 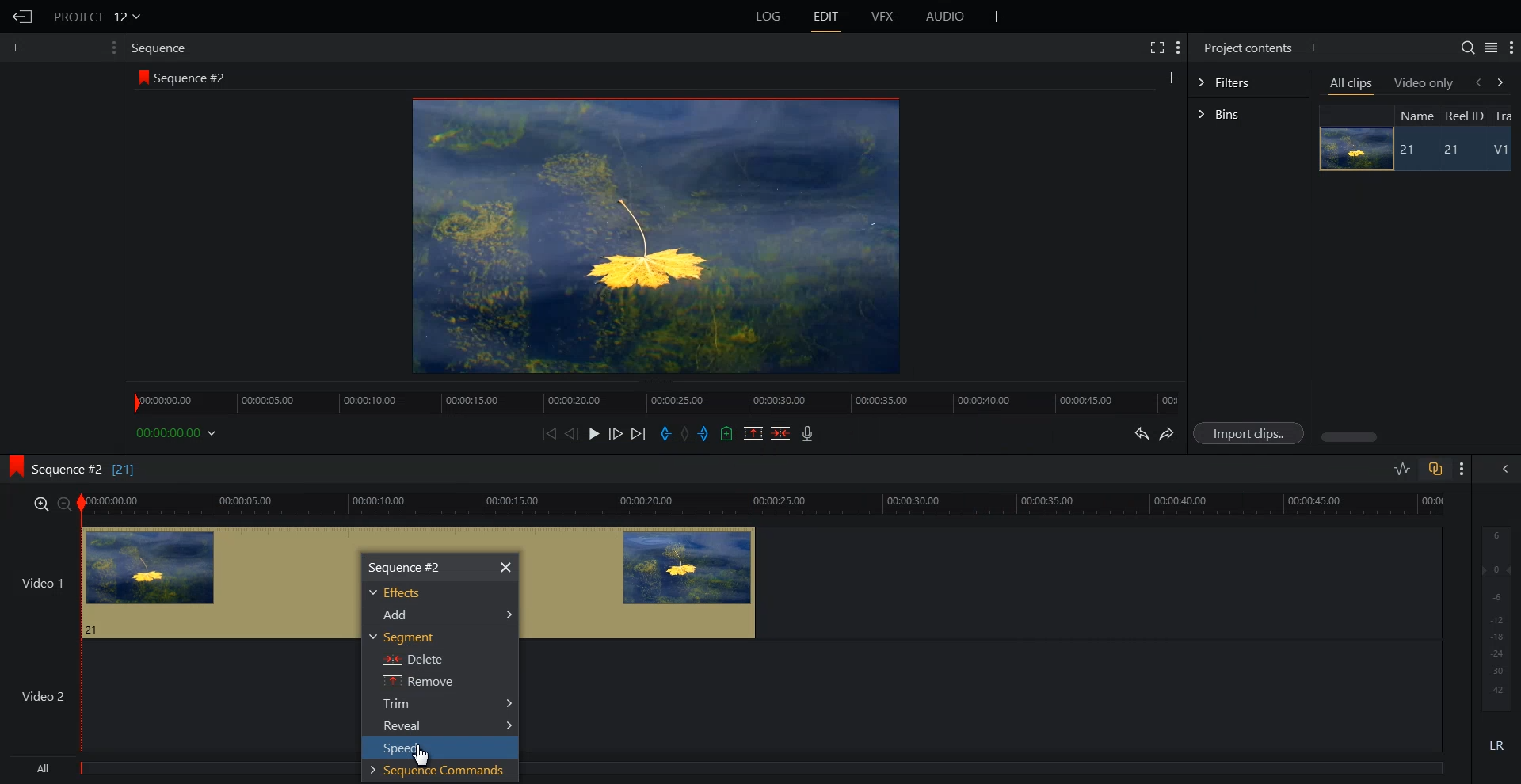 I want to click on zoom in/zoom out, so click(x=49, y=503).